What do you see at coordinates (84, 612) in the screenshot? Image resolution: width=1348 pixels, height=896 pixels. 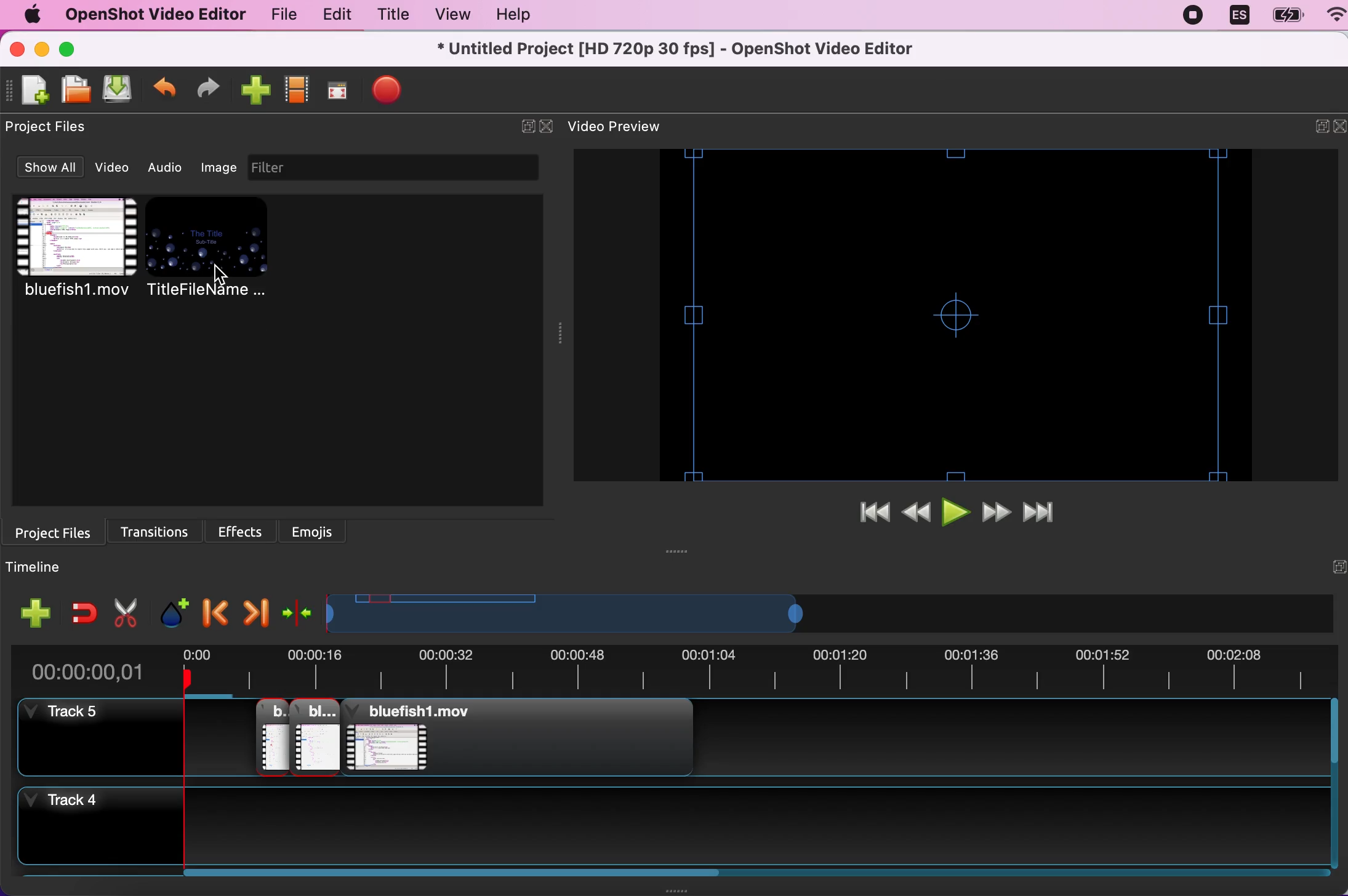 I see `enable snapping` at bounding box center [84, 612].